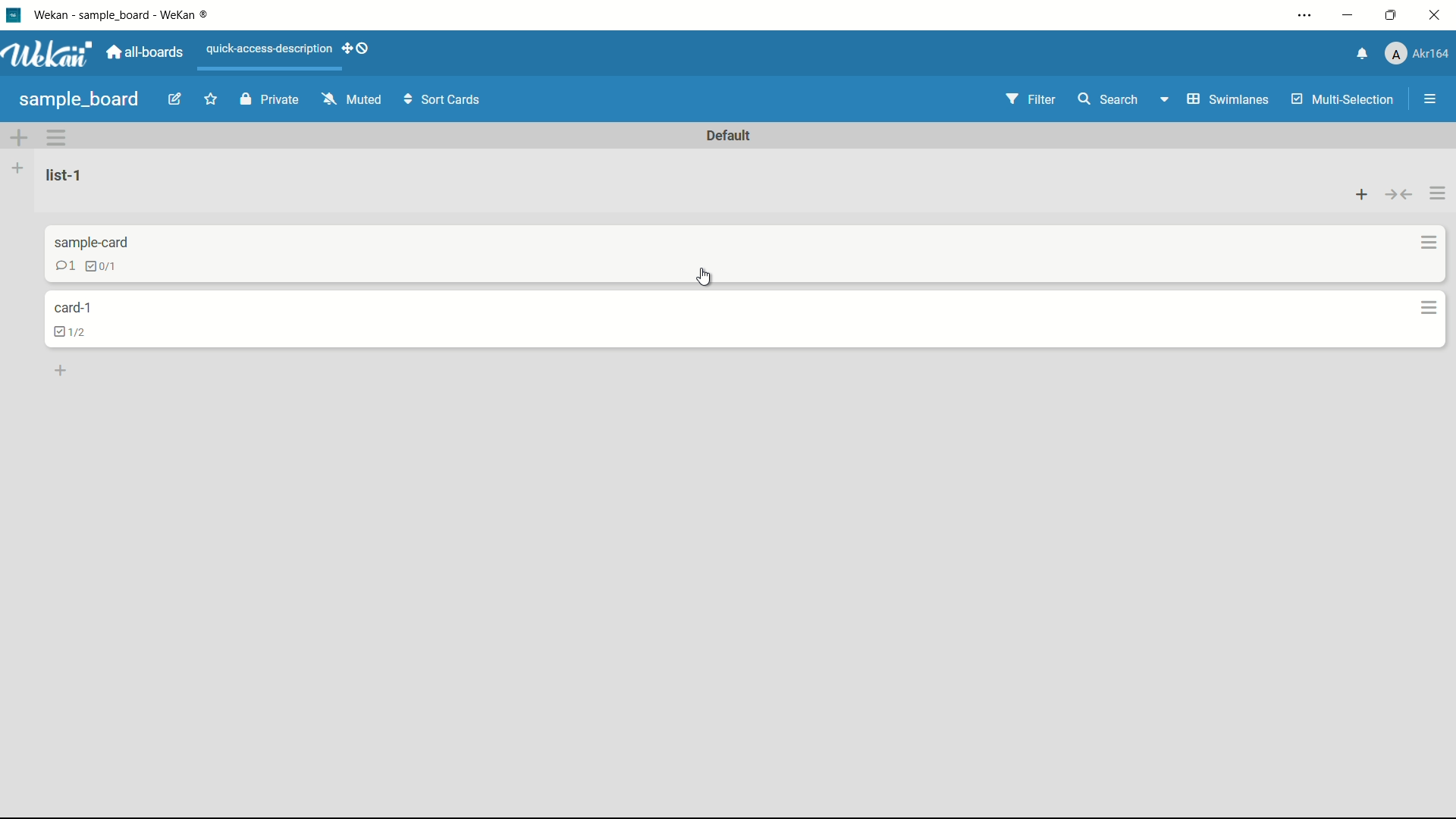 The image size is (1456, 819). What do you see at coordinates (92, 243) in the screenshot?
I see `card name` at bounding box center [92, 243].